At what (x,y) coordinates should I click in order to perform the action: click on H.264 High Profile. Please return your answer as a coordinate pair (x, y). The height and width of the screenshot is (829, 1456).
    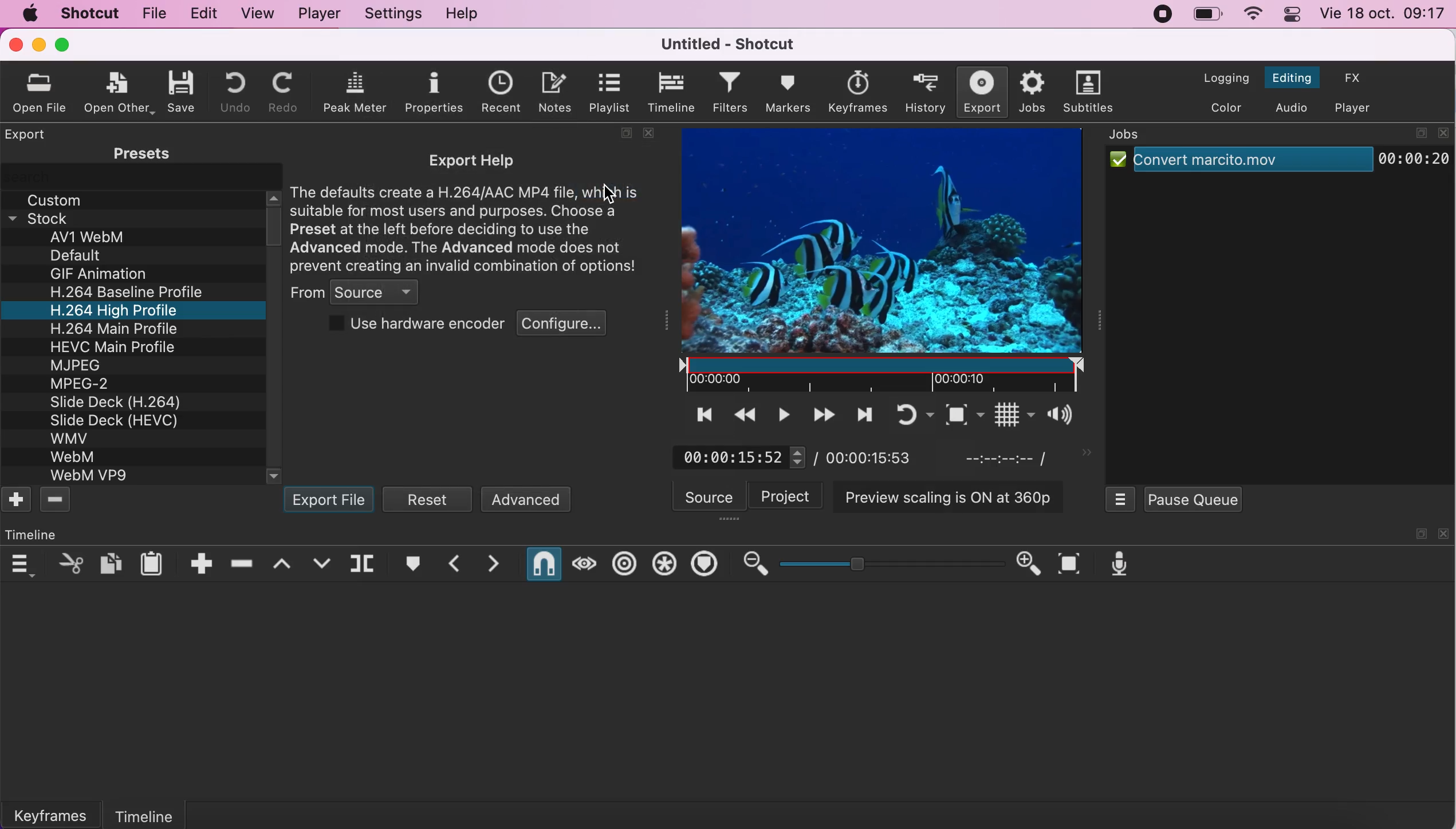
    Looking at the image, I should click on (127, 310).